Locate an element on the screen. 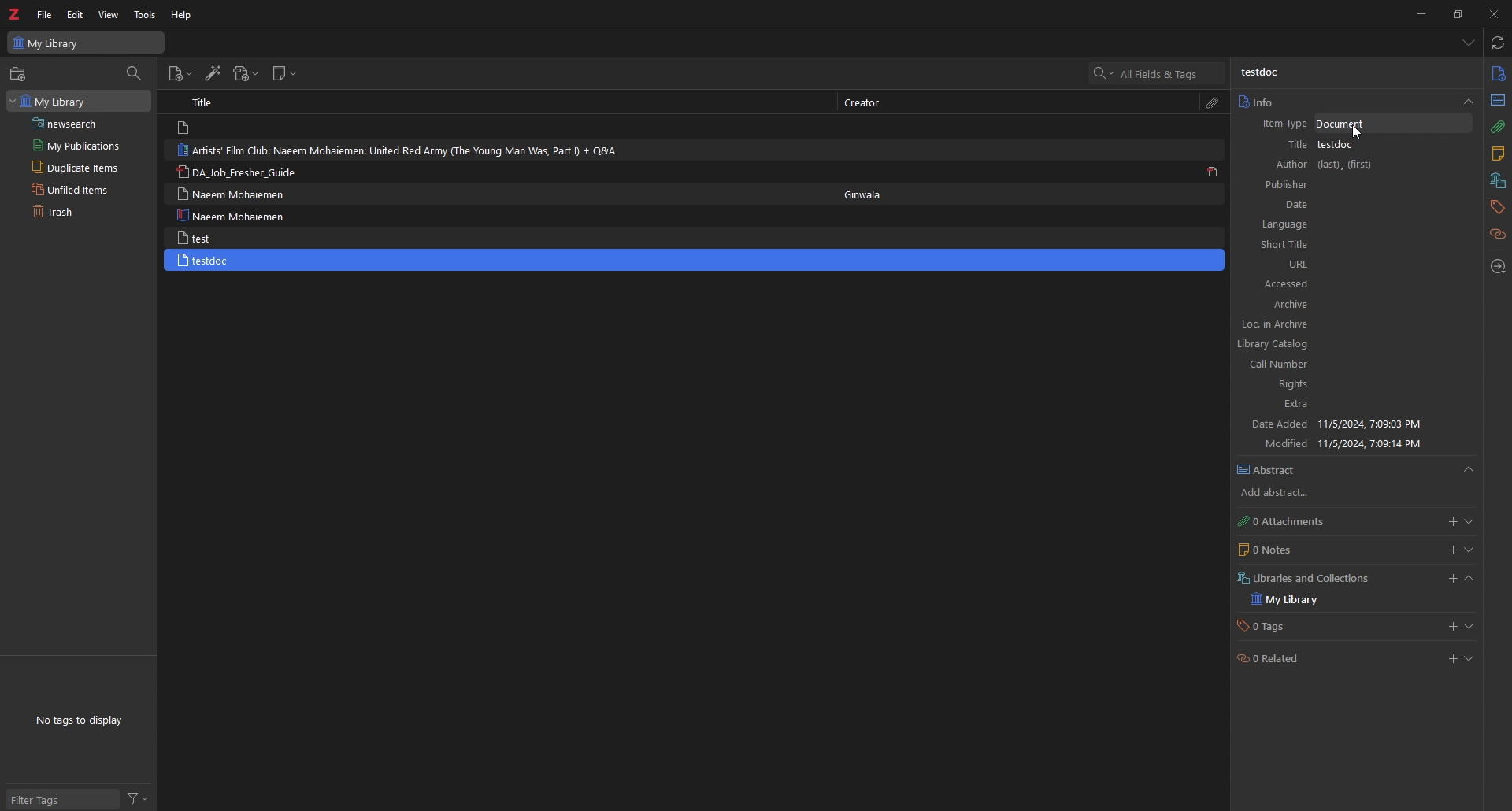 This screenshot has height=811, width=1512. minimize is located at coordinates (1418, 14).